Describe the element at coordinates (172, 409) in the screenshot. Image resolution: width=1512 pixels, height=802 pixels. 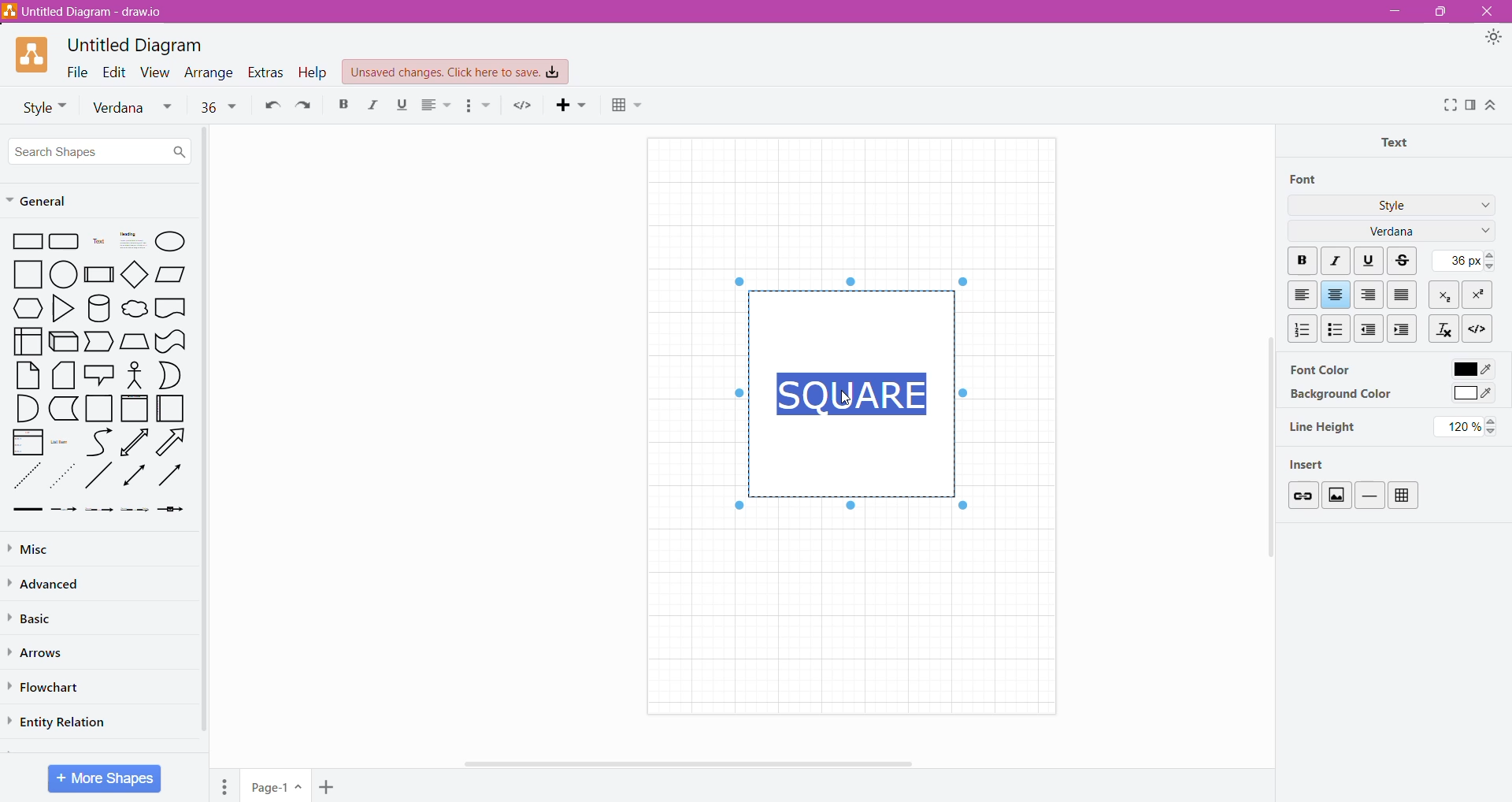
I see `Folded Paper ` at that location.